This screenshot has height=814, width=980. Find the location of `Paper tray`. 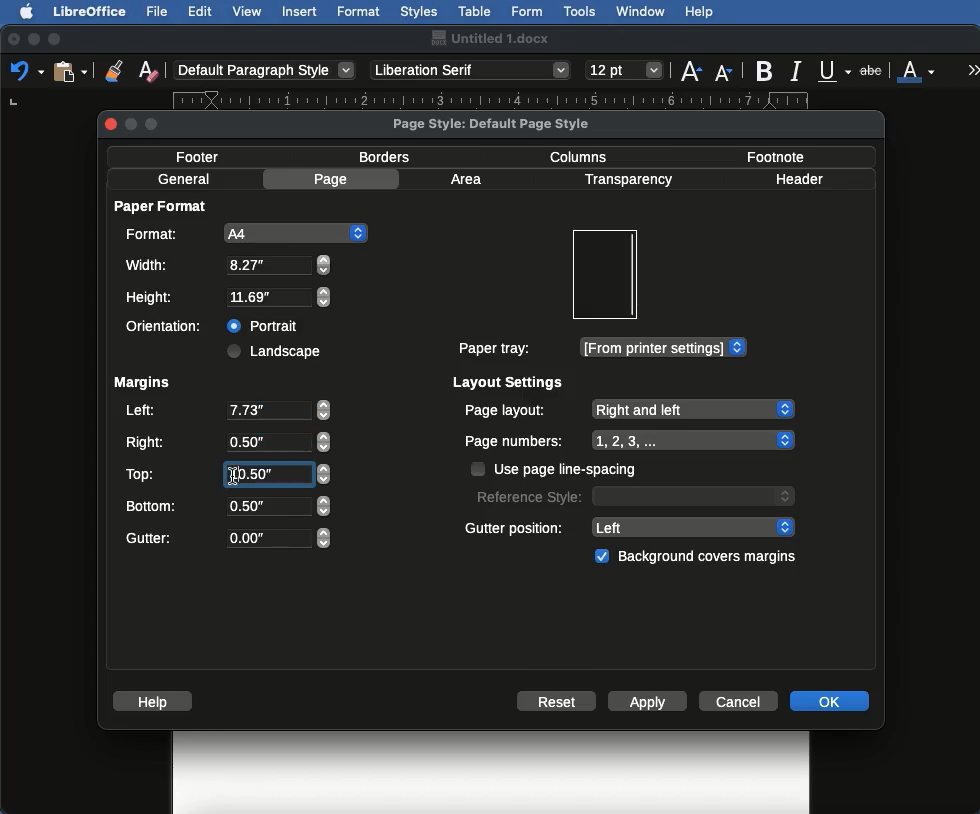

Paper tray is located at coordinates (601, 348).